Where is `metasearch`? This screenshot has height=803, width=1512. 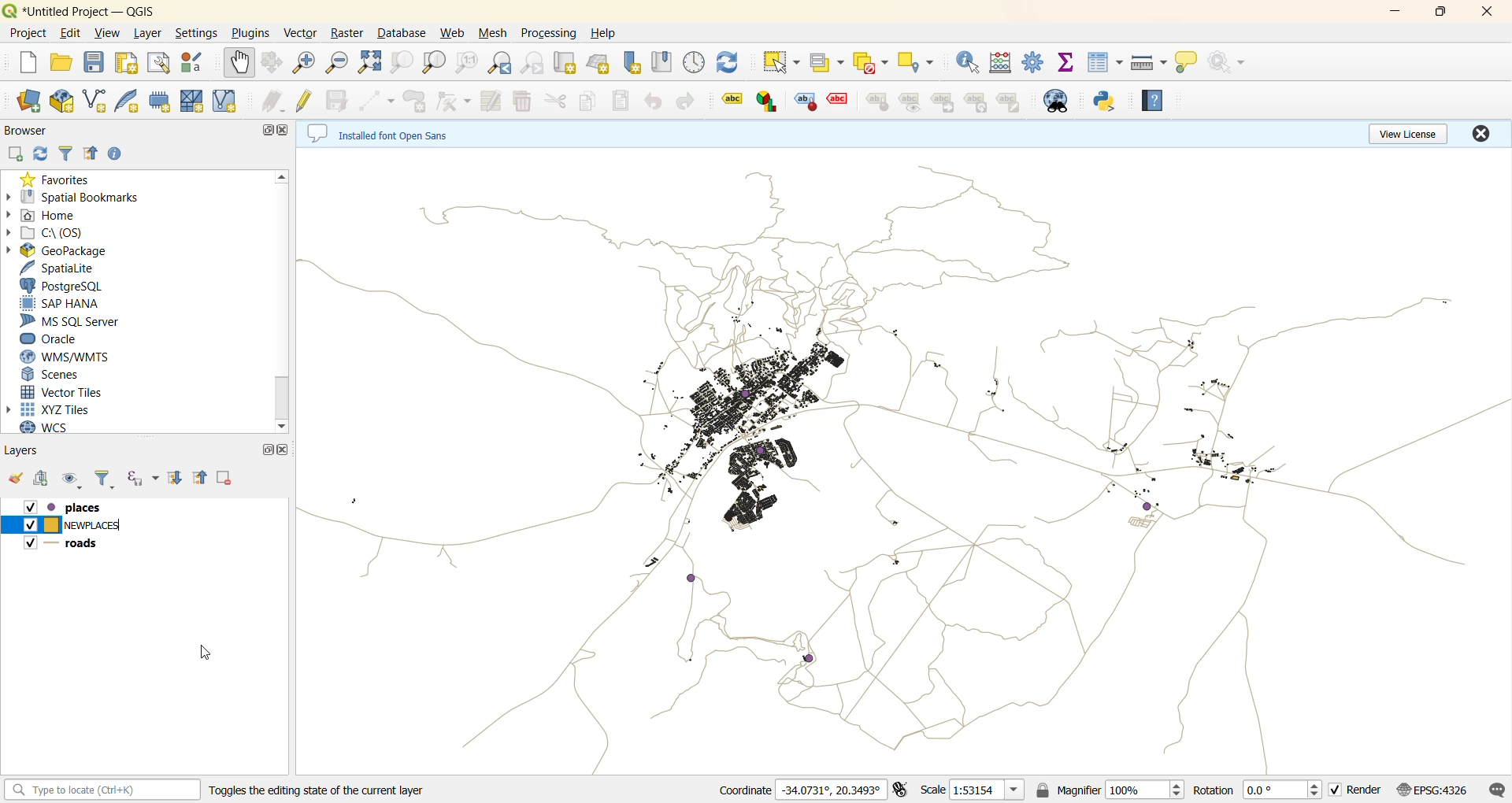
metasearch is located at coordinates (1058, 102).